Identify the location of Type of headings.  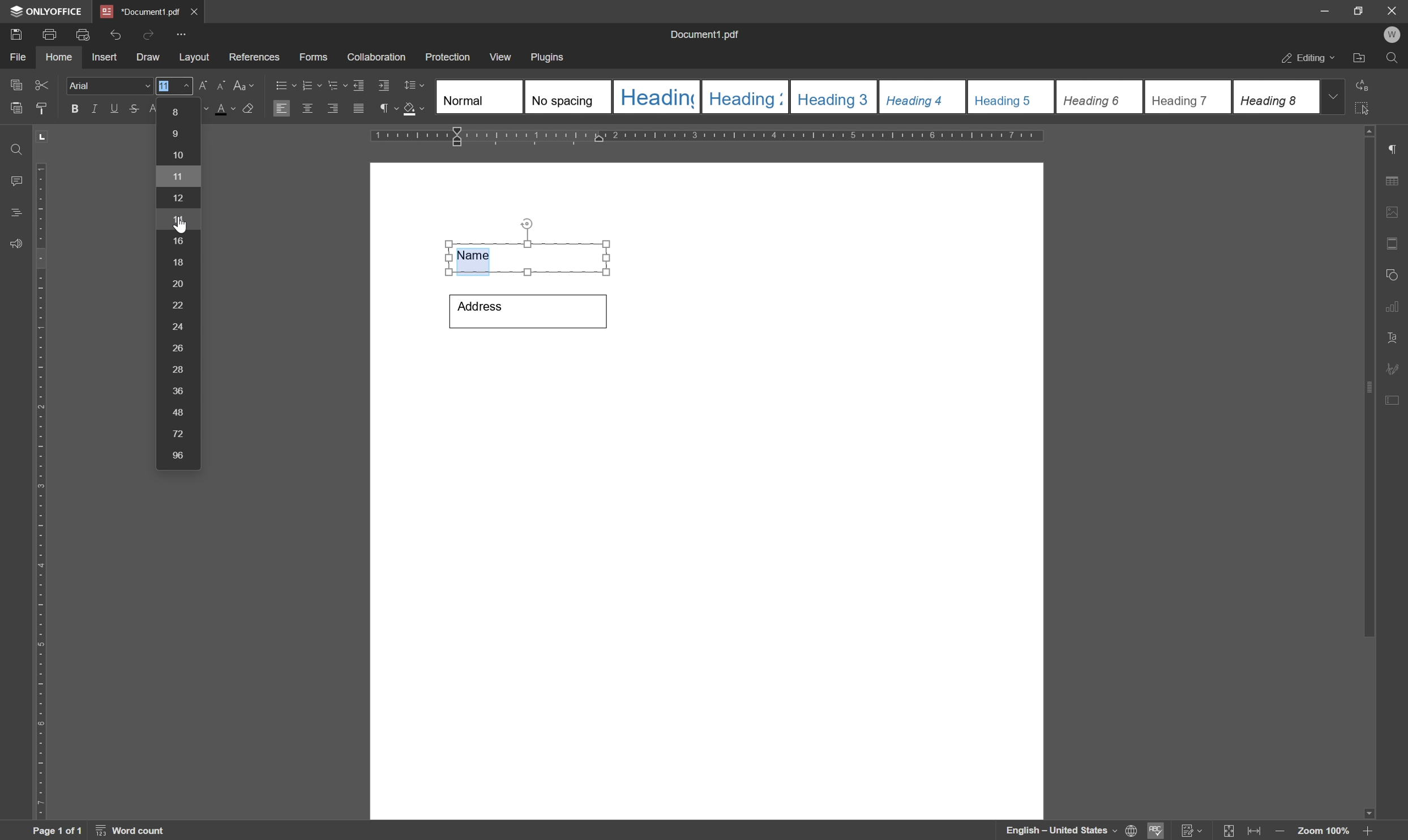
(876, 96).